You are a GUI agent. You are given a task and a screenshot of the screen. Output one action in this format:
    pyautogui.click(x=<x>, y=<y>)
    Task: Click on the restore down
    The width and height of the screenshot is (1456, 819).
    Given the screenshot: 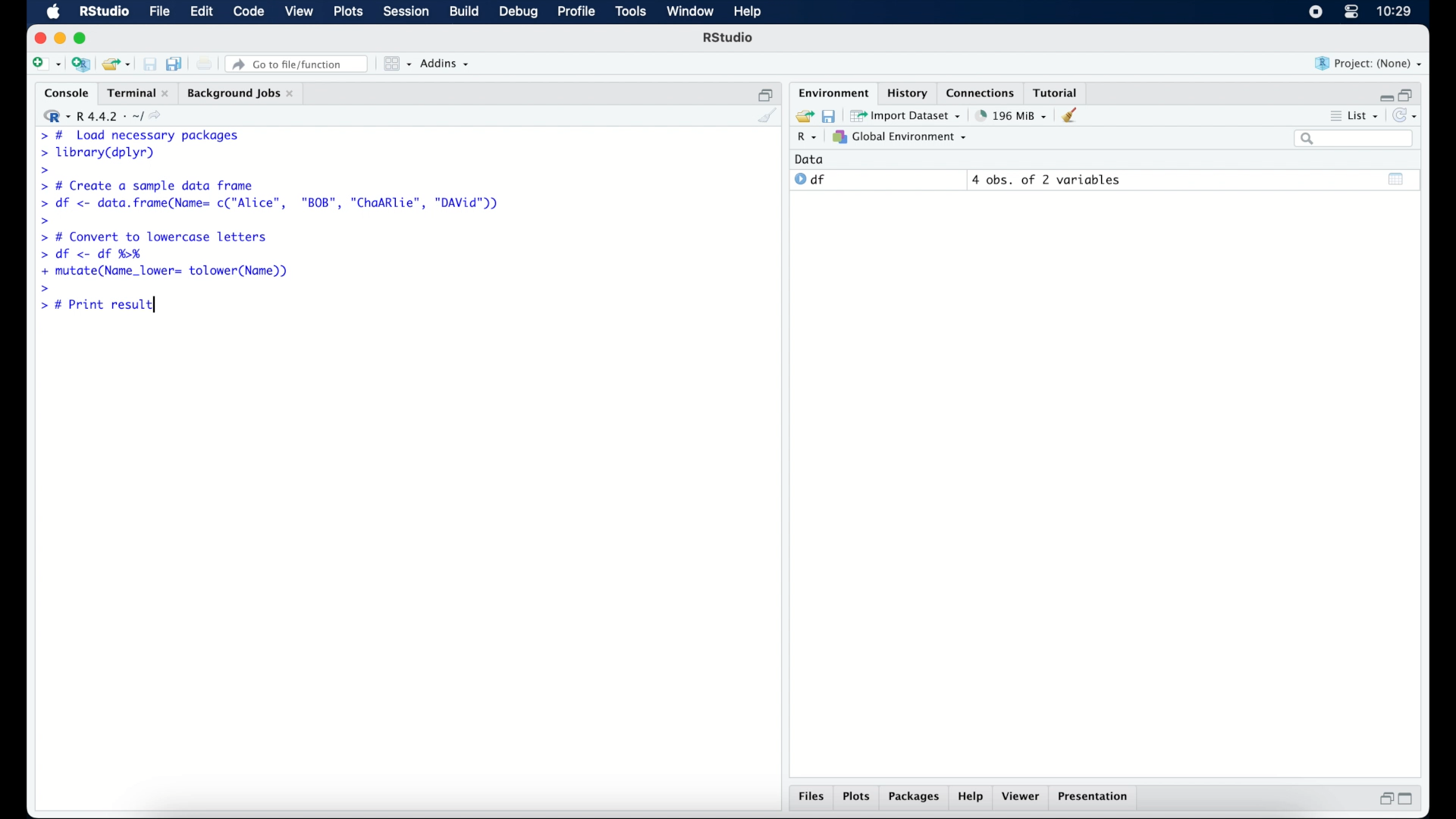 What is the action you would take?
    pyautogui.click(x=1384, y=800)
    